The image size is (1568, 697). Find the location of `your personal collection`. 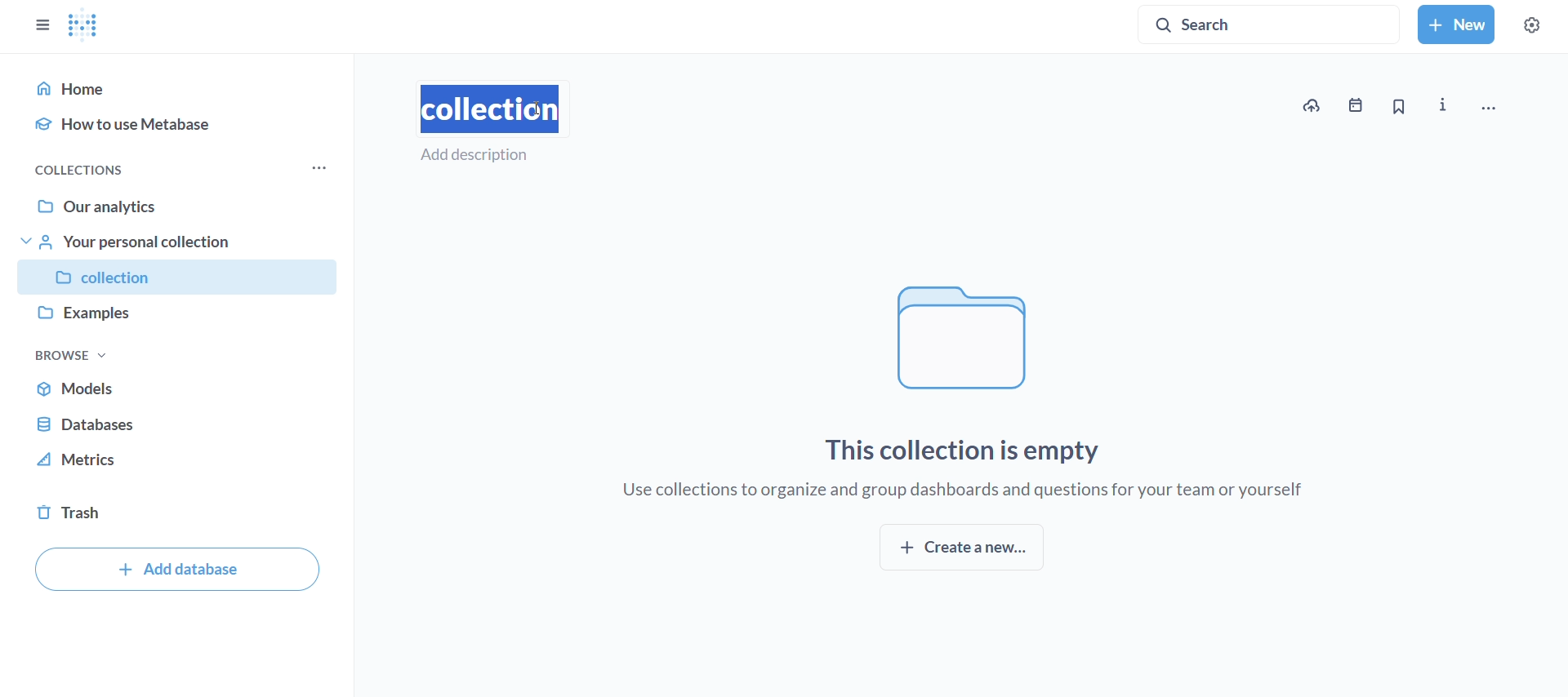

your personal collection is located at coordinates (181, 242).